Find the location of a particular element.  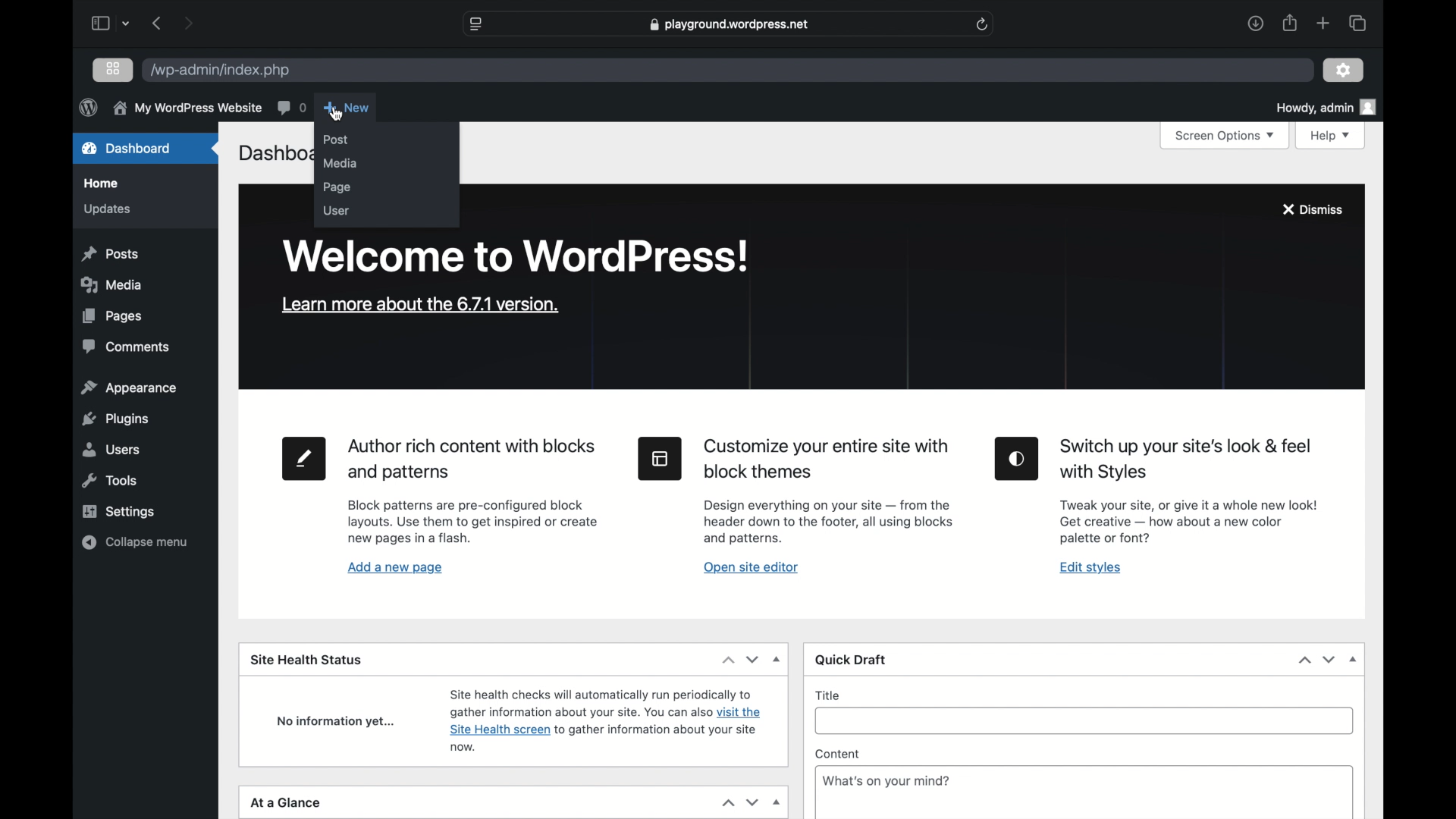

site editor is located at coordinates (661, 459).